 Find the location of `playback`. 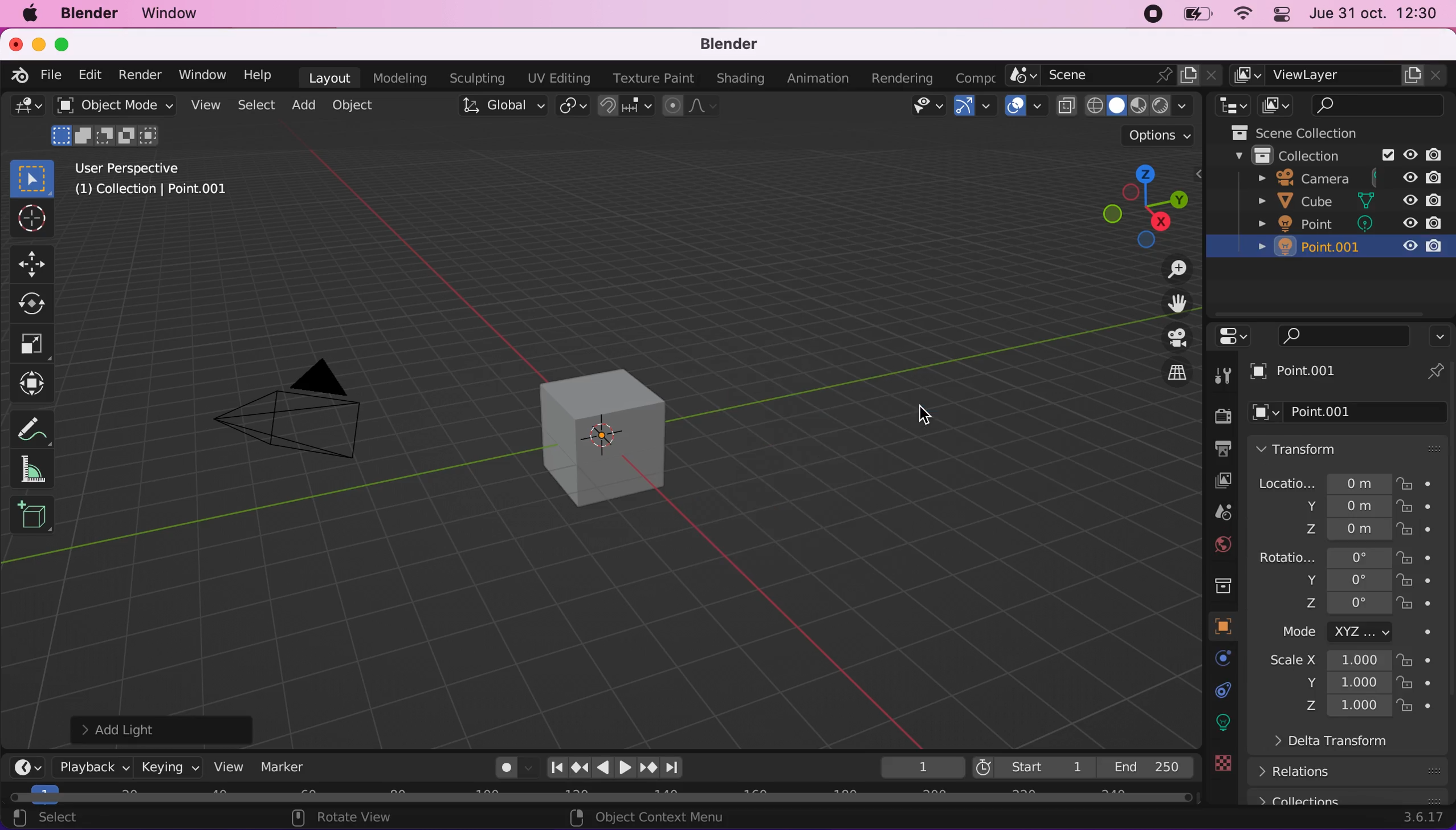

playback is located at coordinates (87, 766).